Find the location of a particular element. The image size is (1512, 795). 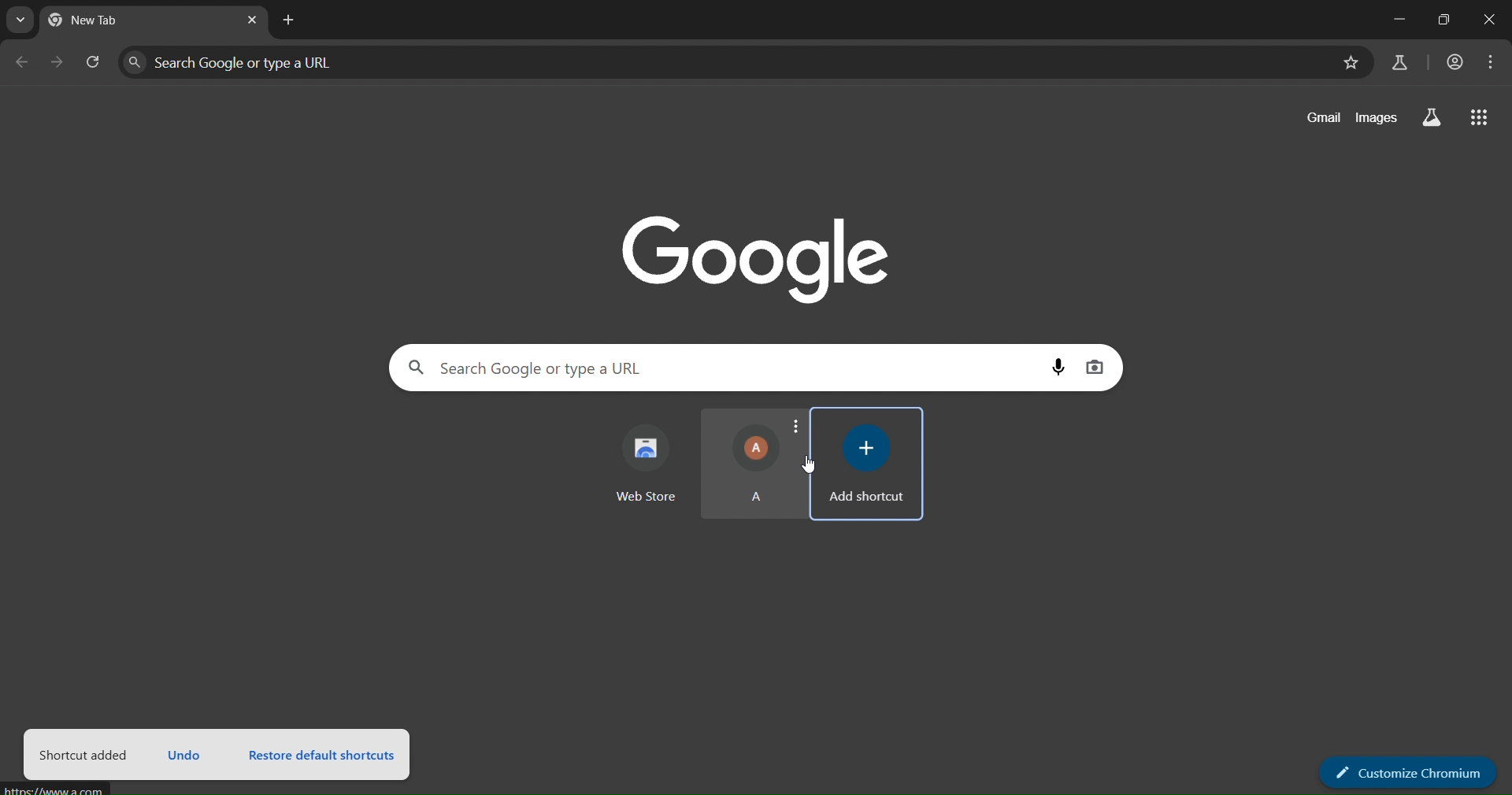

close tab is located at coordinates (254, 21).